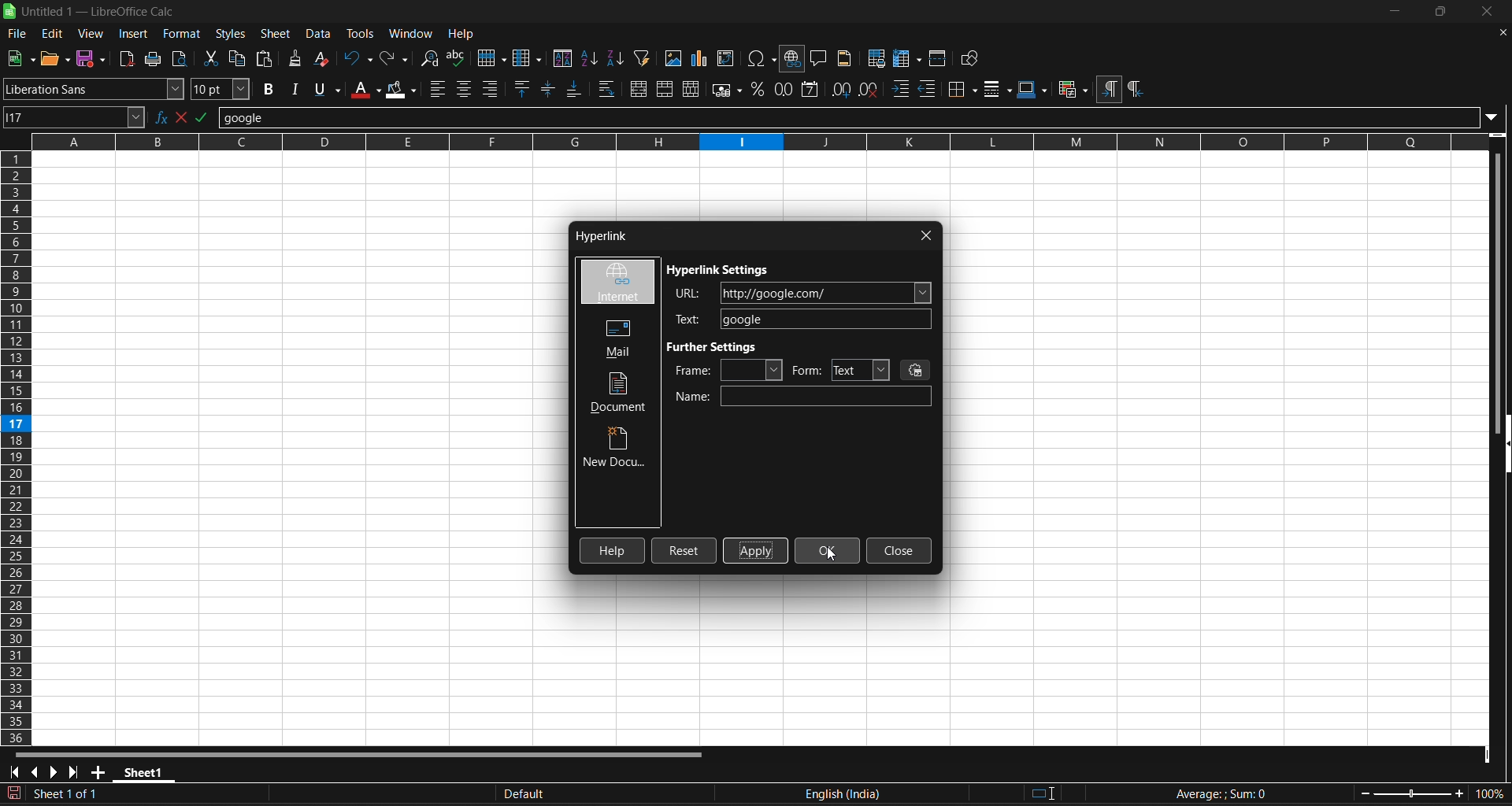 This screenshot has width=1512, height=806. I want to click on spelling, so click(458, 58).